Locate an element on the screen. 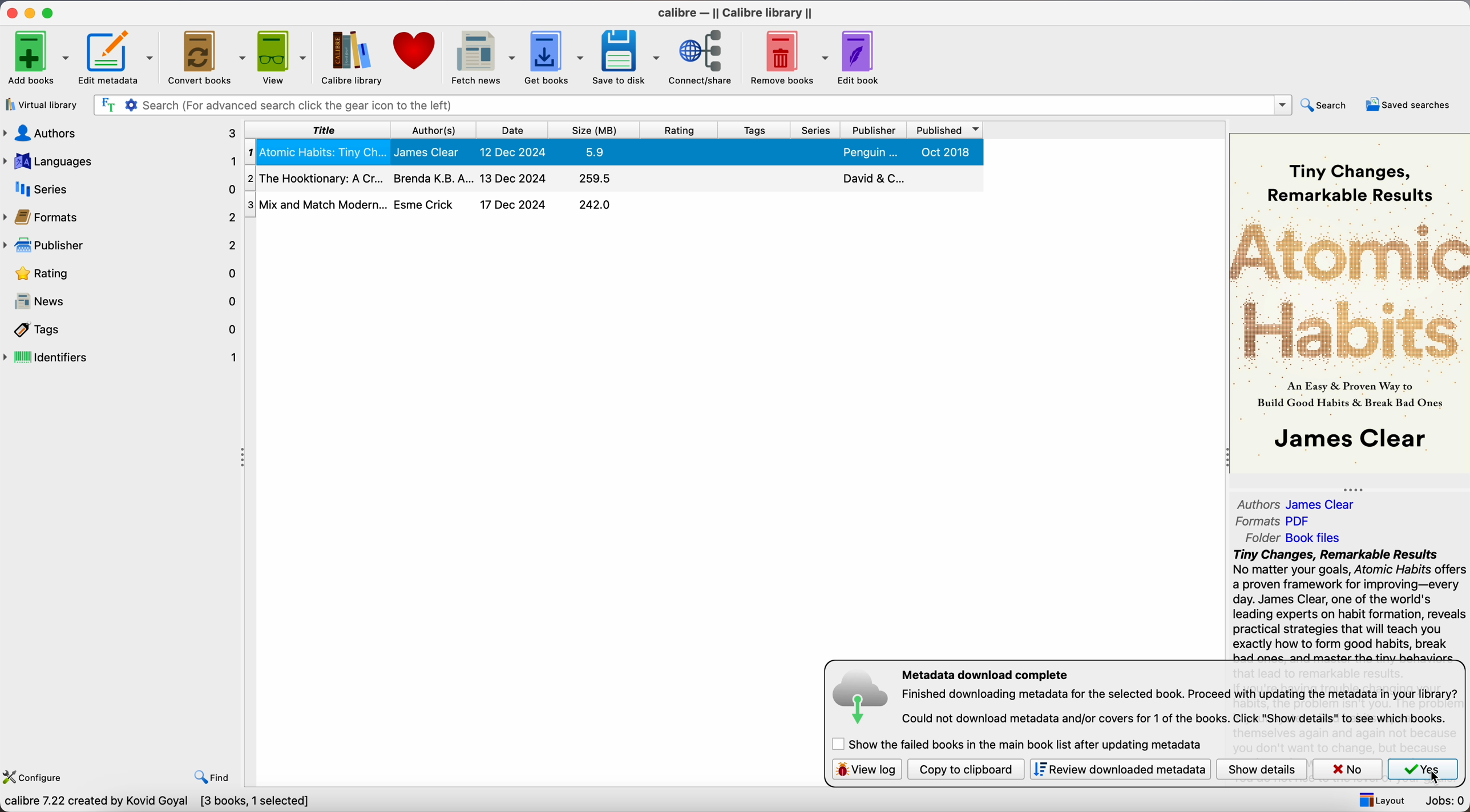 This screenshot has height=812, width=1470. Penguin... is located at coordinates (870, 152).